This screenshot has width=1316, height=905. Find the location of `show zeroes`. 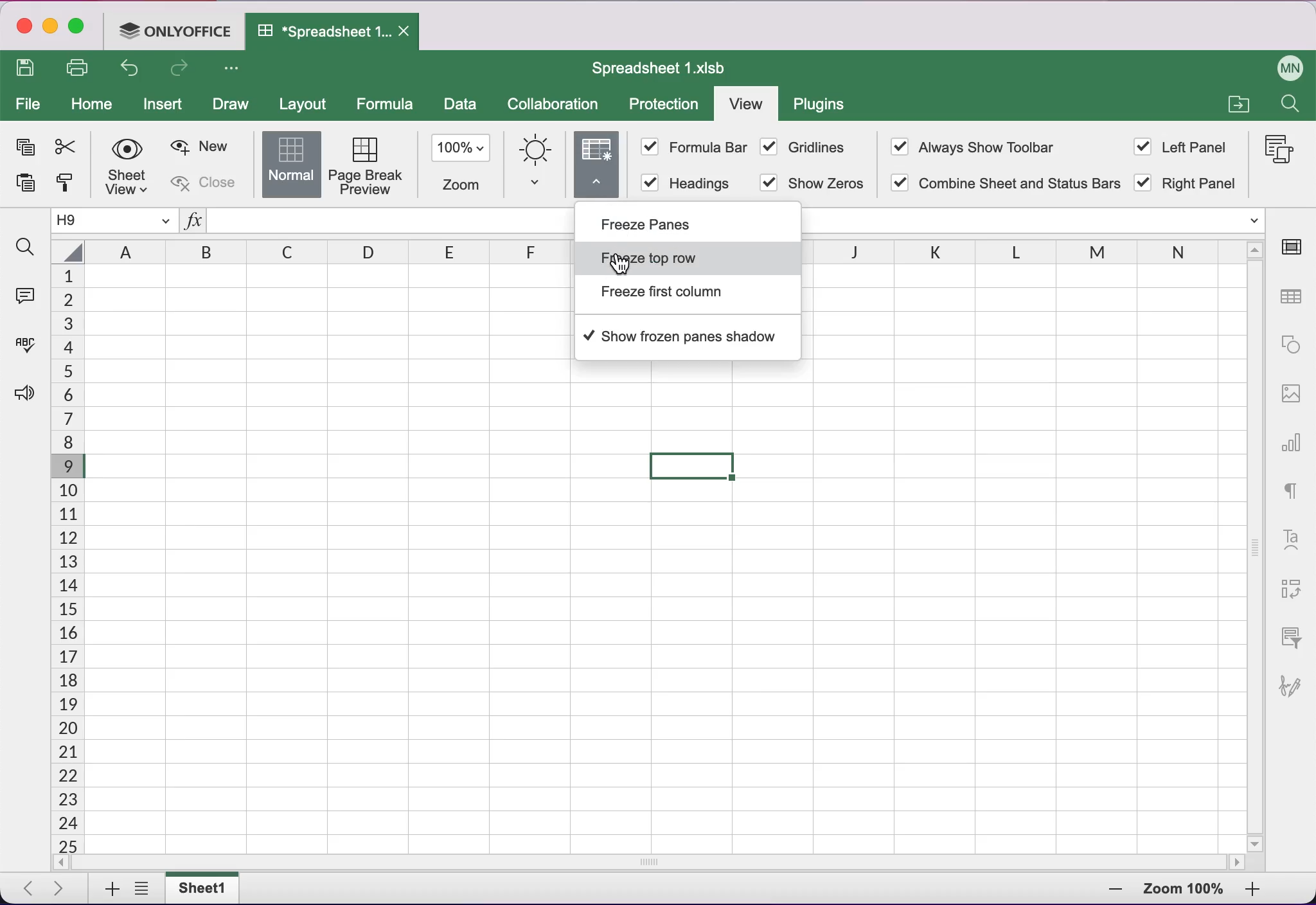

show zeroes is located at coordinates (816, 183).